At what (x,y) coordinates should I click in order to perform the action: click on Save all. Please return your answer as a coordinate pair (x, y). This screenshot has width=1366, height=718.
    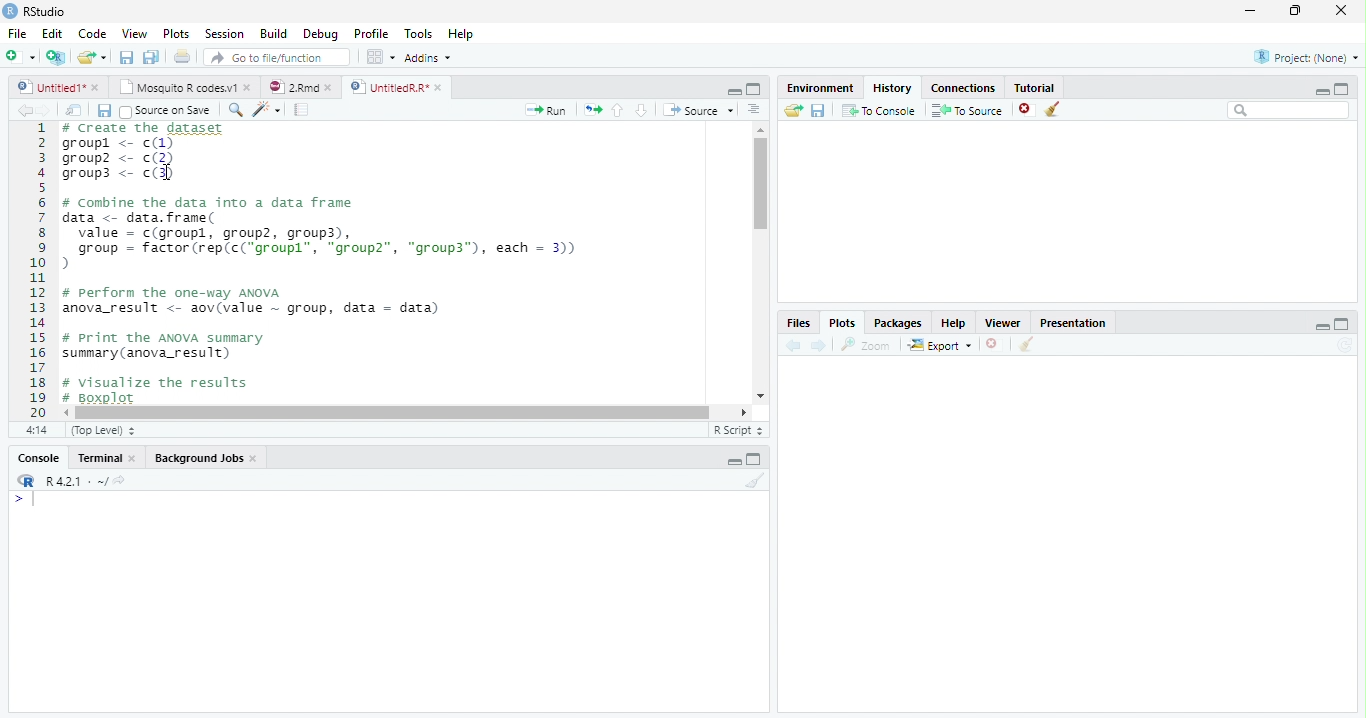
    Looking at the image, I should click on (108, 112).